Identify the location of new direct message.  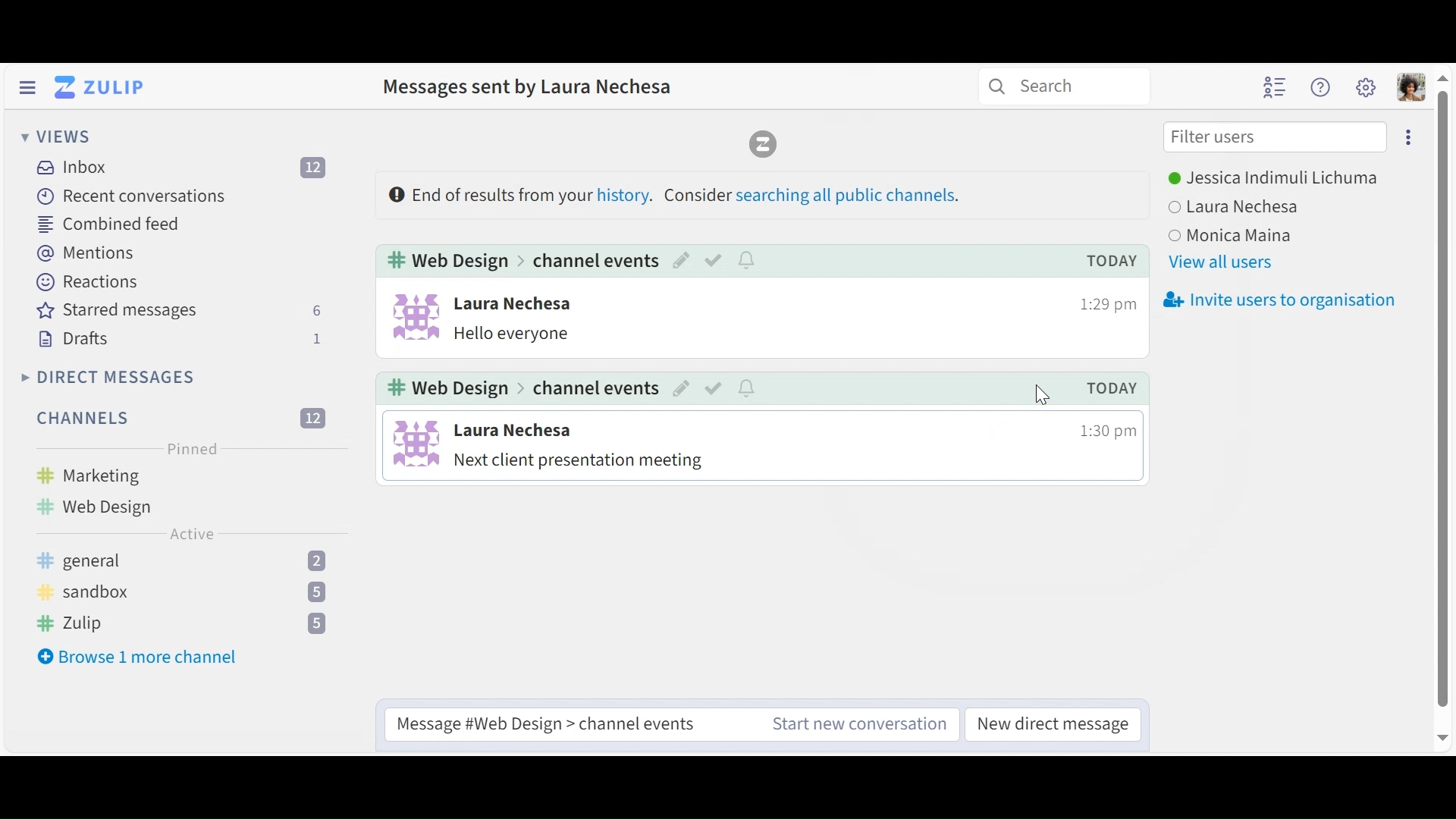
(1051, 725).